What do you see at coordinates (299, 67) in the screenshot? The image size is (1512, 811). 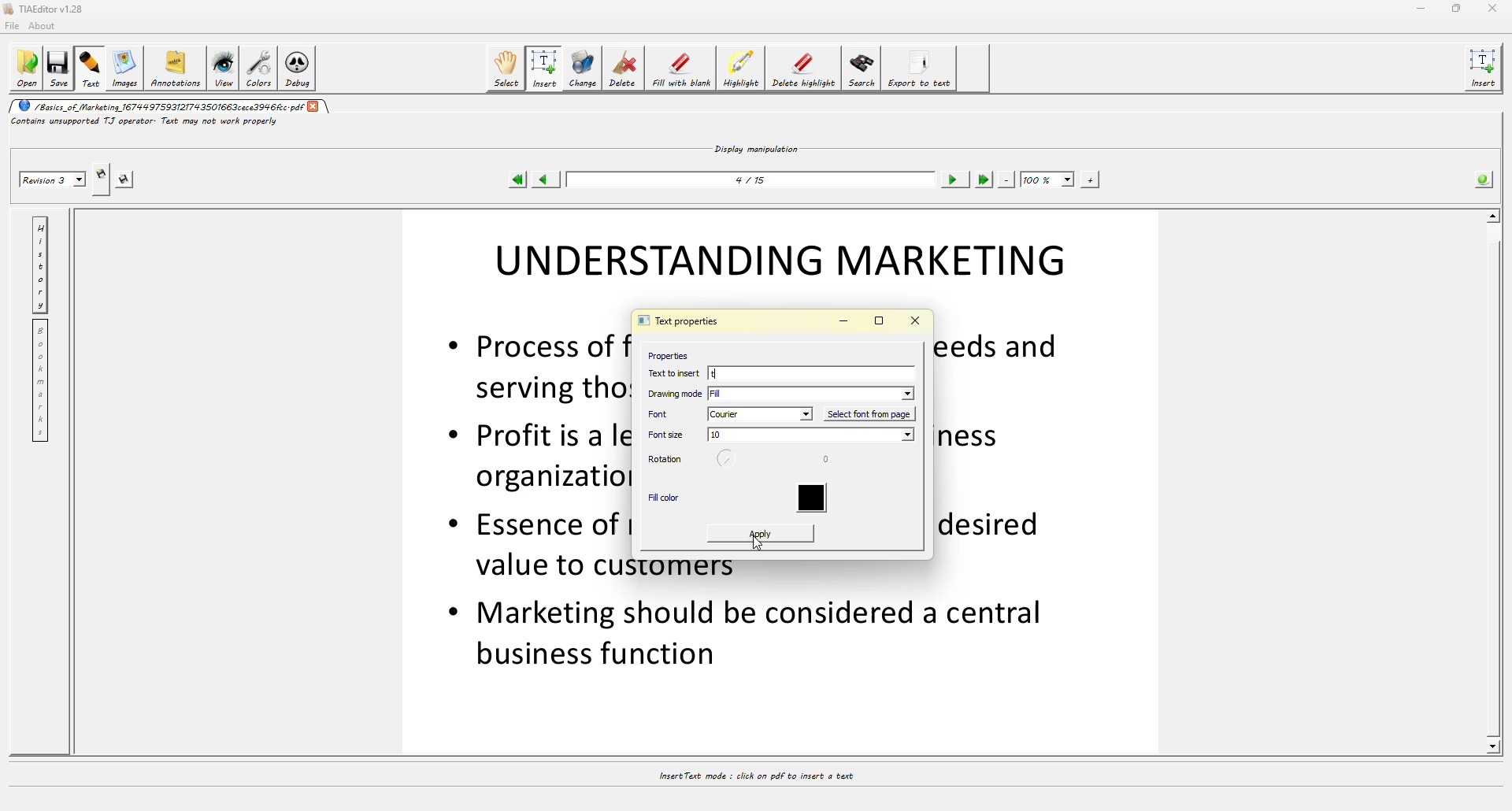 I see `debug` at bounding box center [299, 67].